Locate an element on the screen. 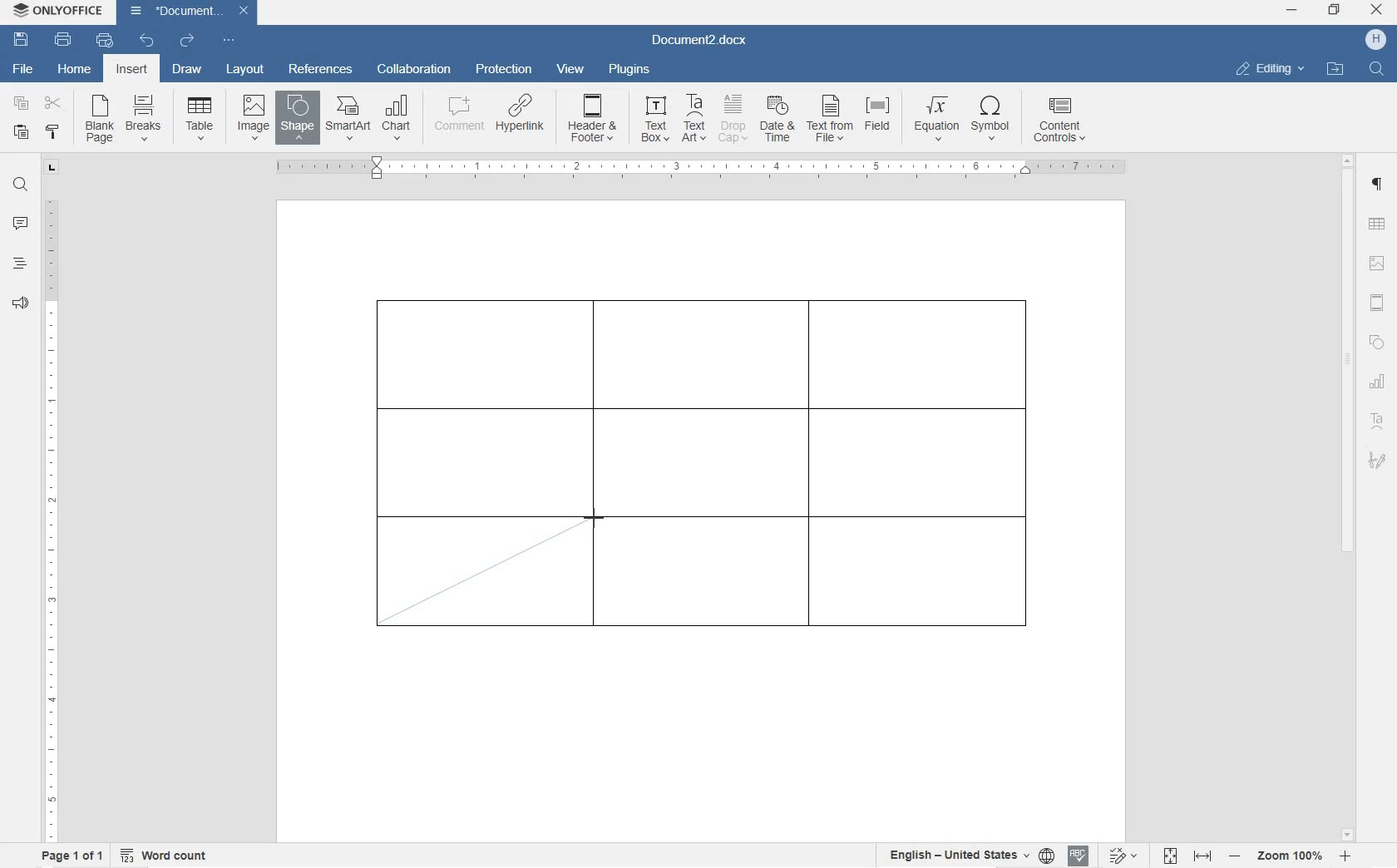 This screenshot has height=868, width=1397. protection is located at coordinates (506, 70).